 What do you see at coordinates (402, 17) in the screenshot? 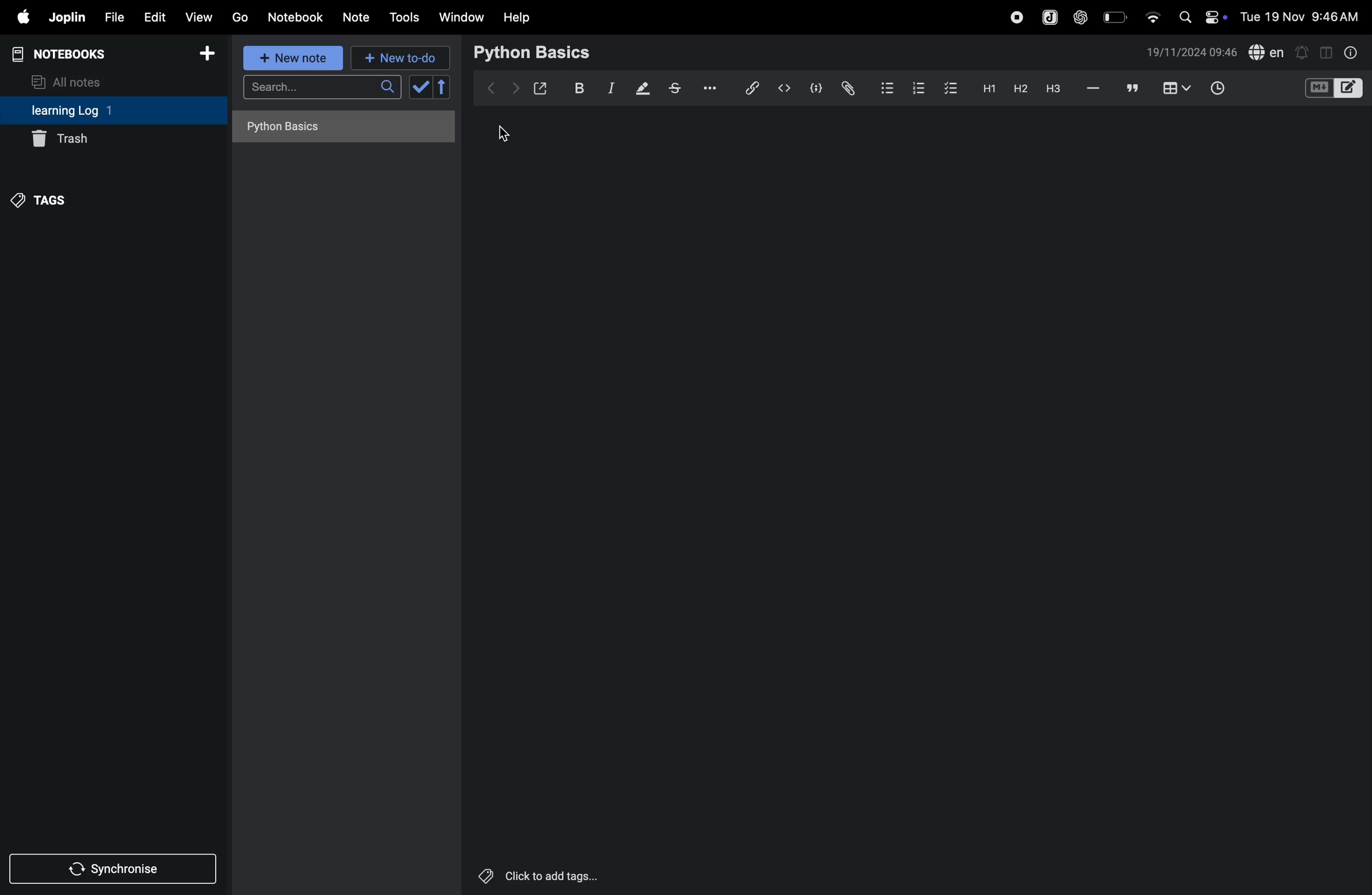
I see `tools` at bounding box center [402, 17].